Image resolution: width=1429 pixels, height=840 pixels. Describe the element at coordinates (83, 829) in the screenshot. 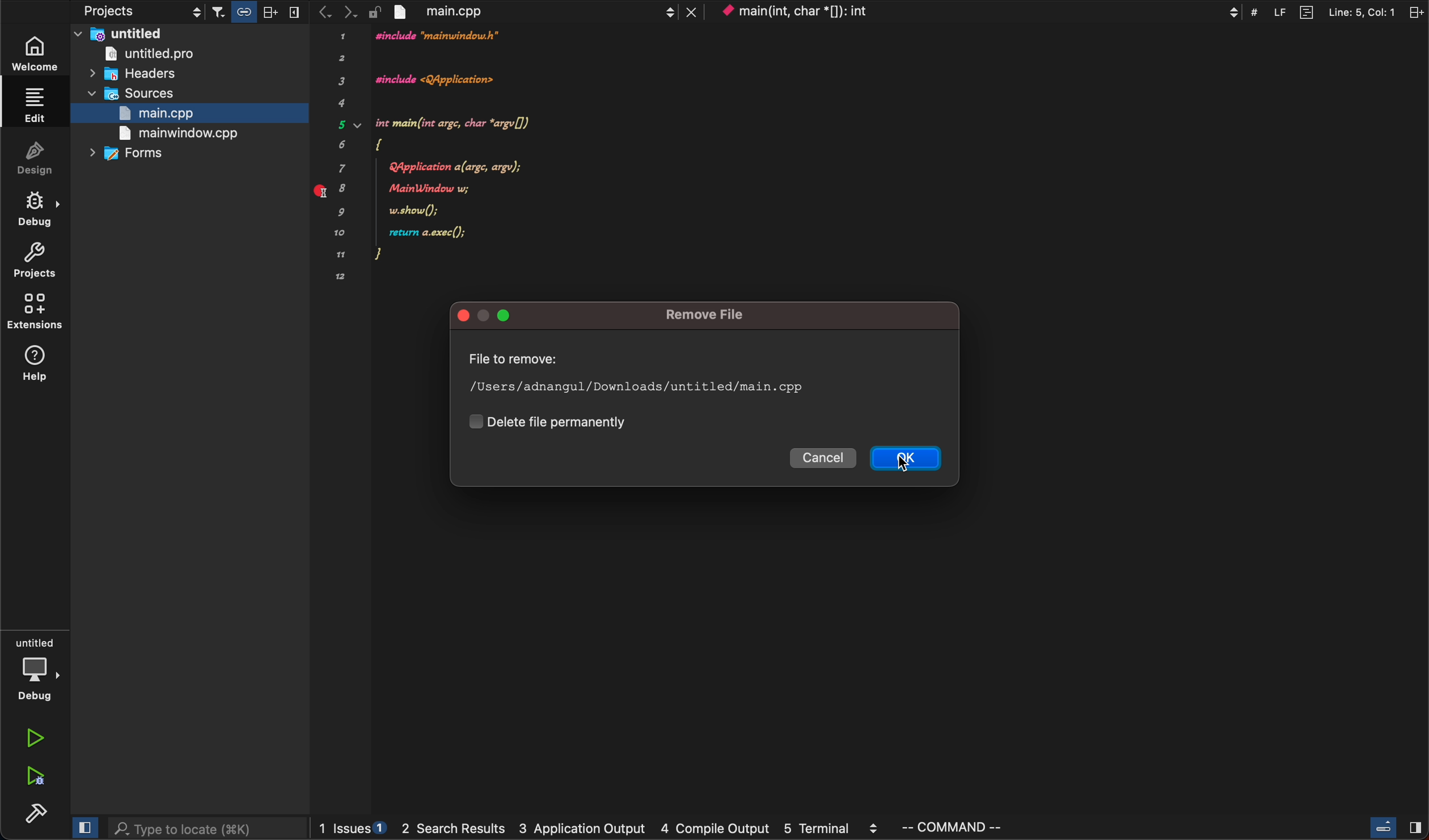

I see `close slide bar` at that location.